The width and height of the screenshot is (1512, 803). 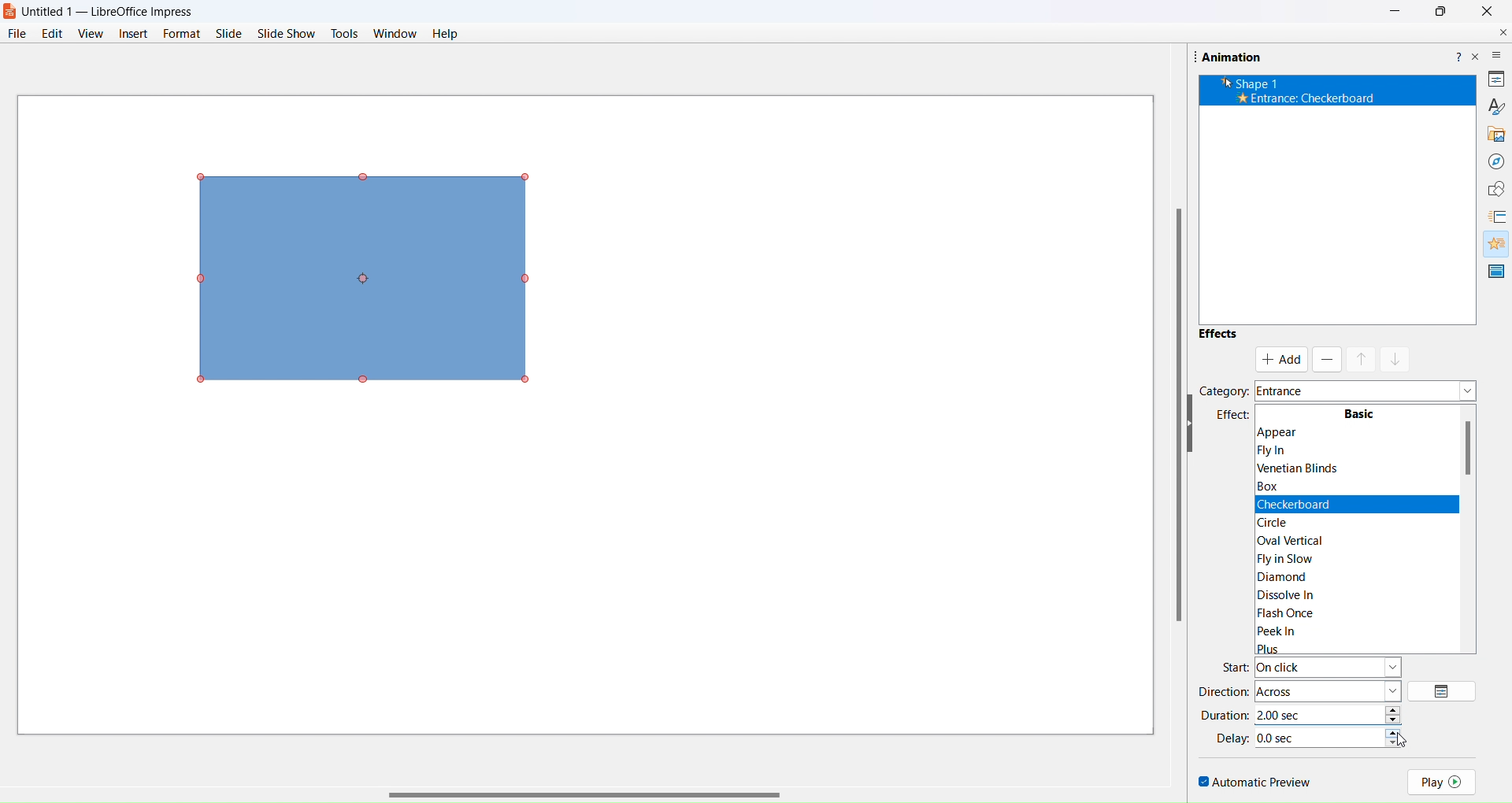 What do you see at coordinates (1235, 665) in the screenshot?
I see `start` at bounding box center [1235, 665].